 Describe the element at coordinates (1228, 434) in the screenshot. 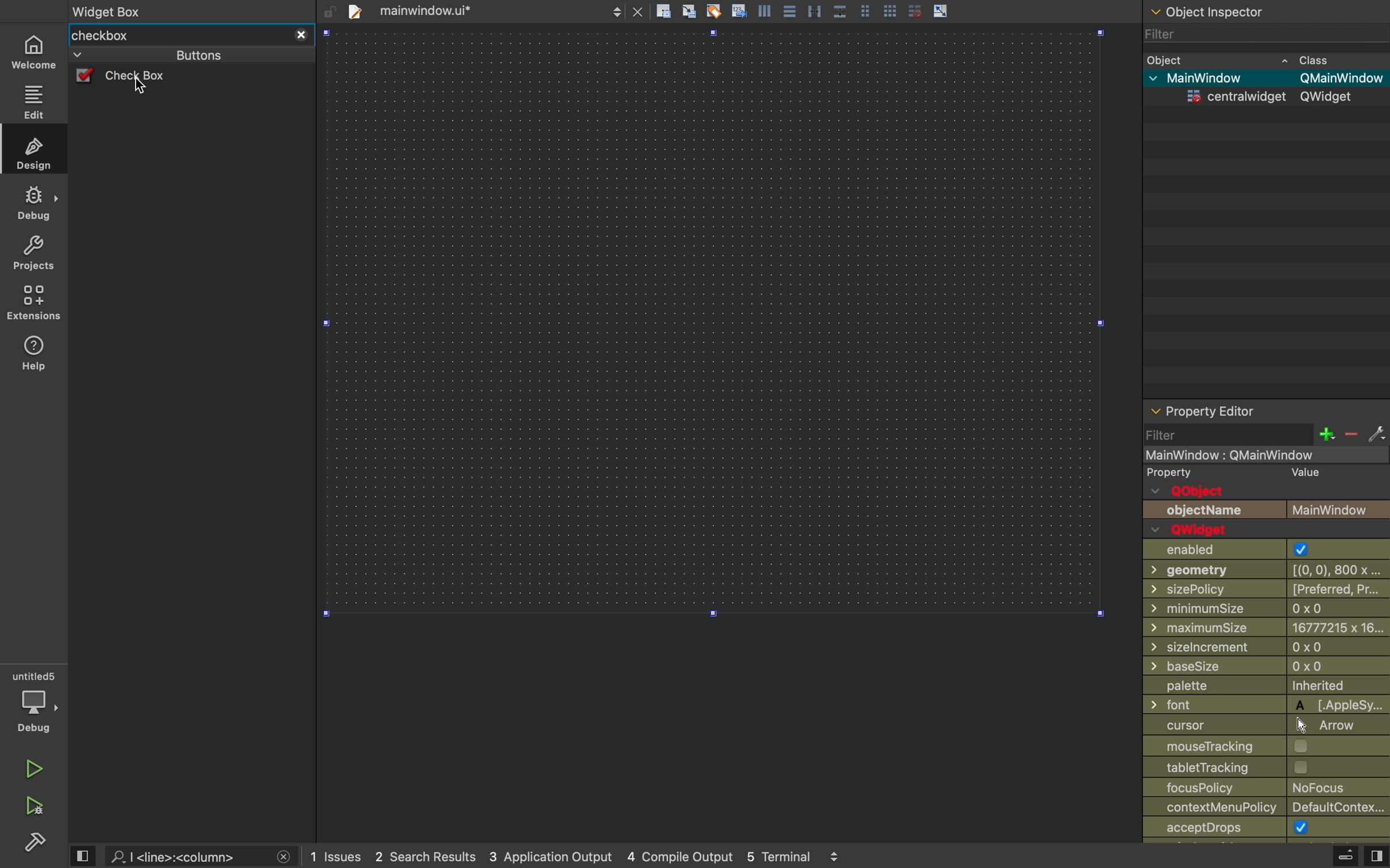

I see `filter` at that location.